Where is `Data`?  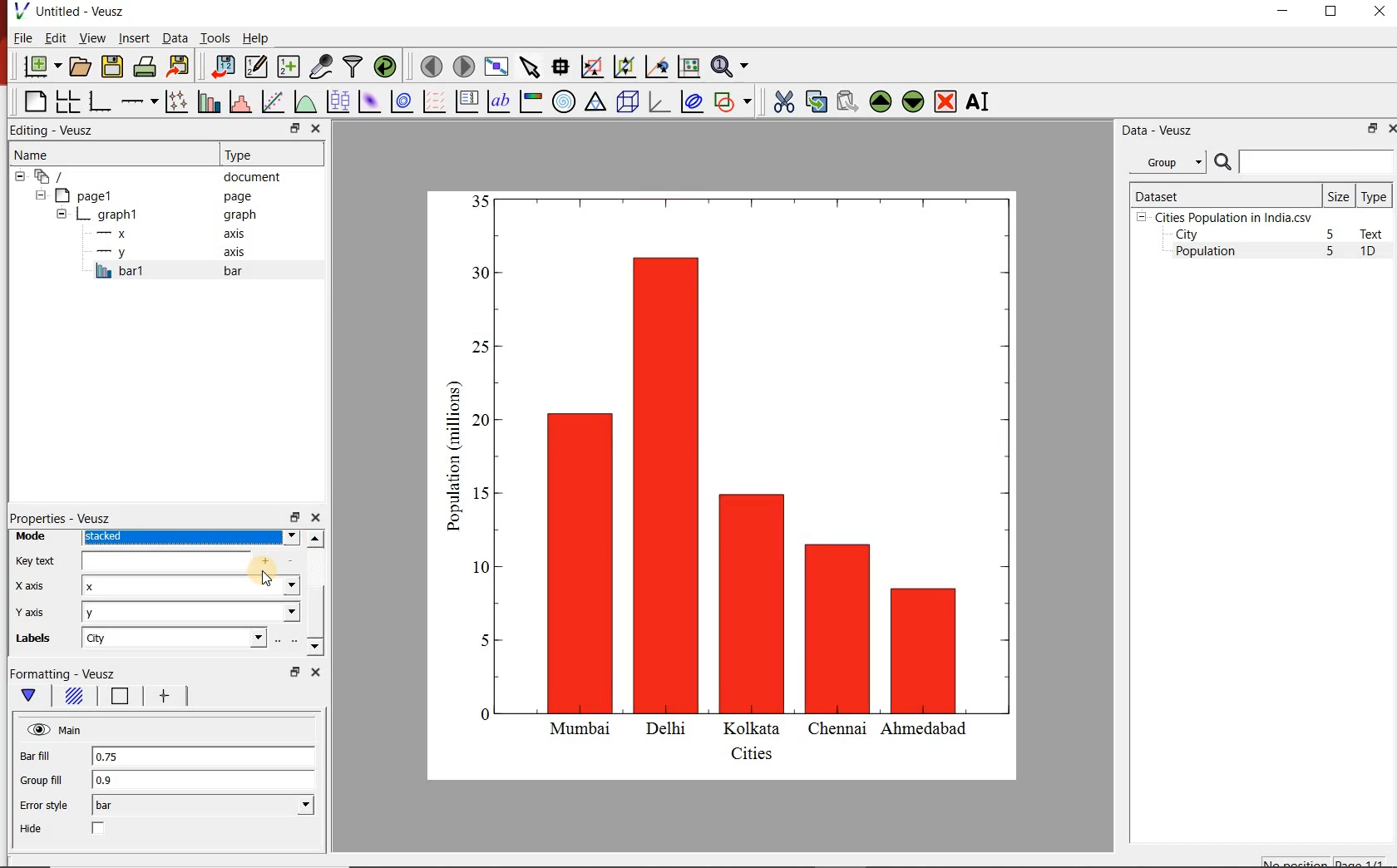
Data is located at coordinates (175, 39).